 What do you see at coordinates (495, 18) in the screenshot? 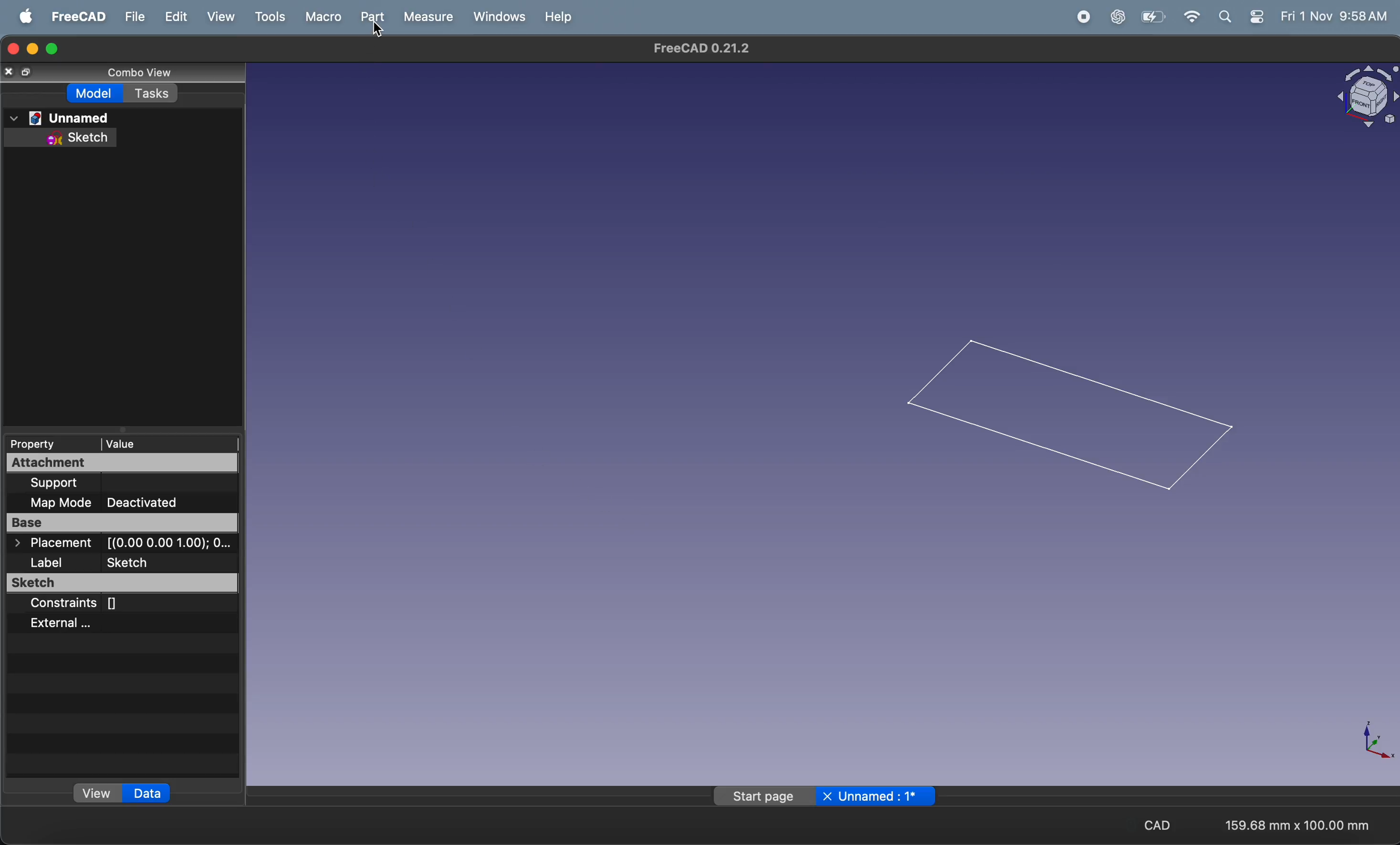
I see `windows` at bounding box center [495, 18].